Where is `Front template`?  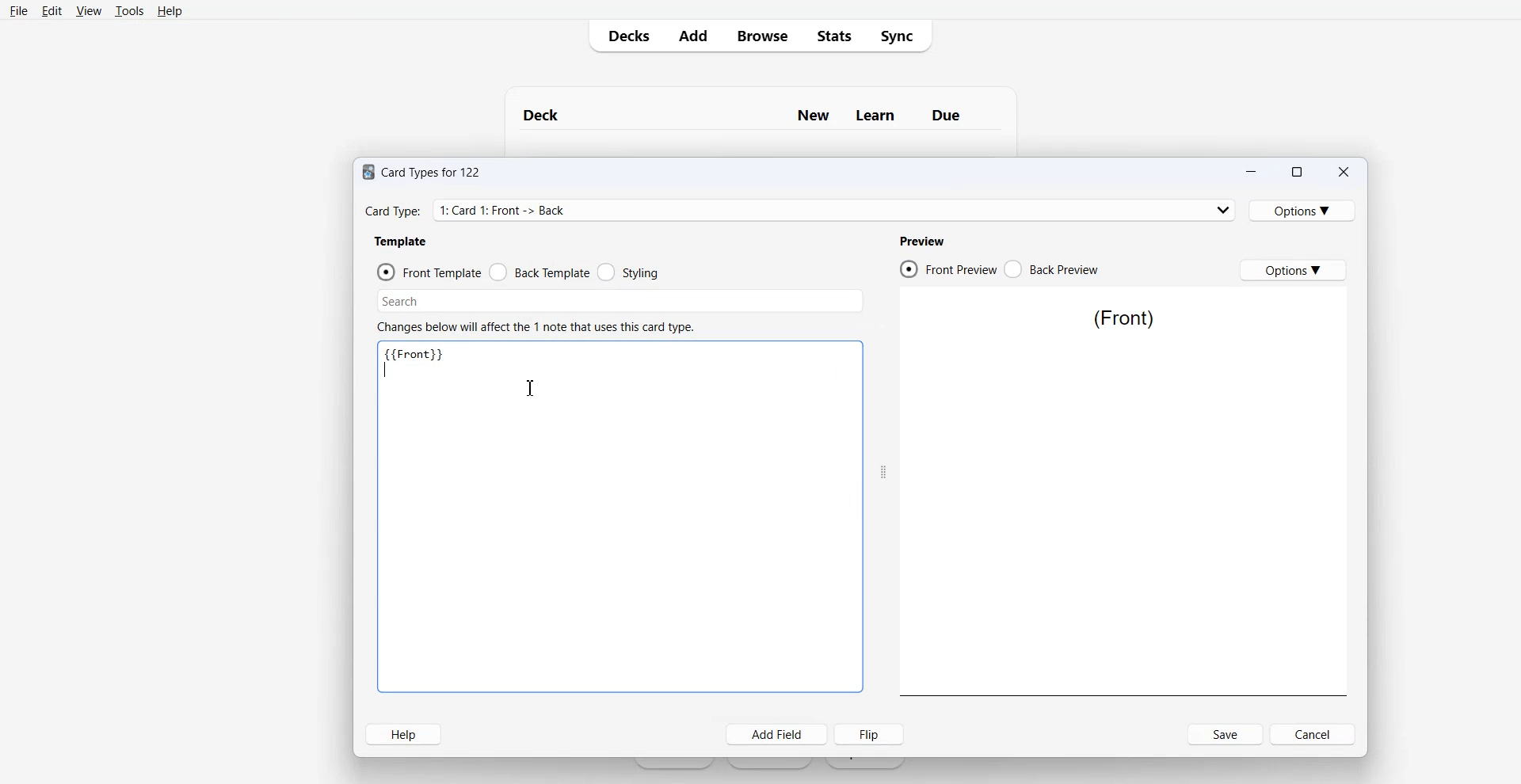 Front template is located at coordinates (429, 272).